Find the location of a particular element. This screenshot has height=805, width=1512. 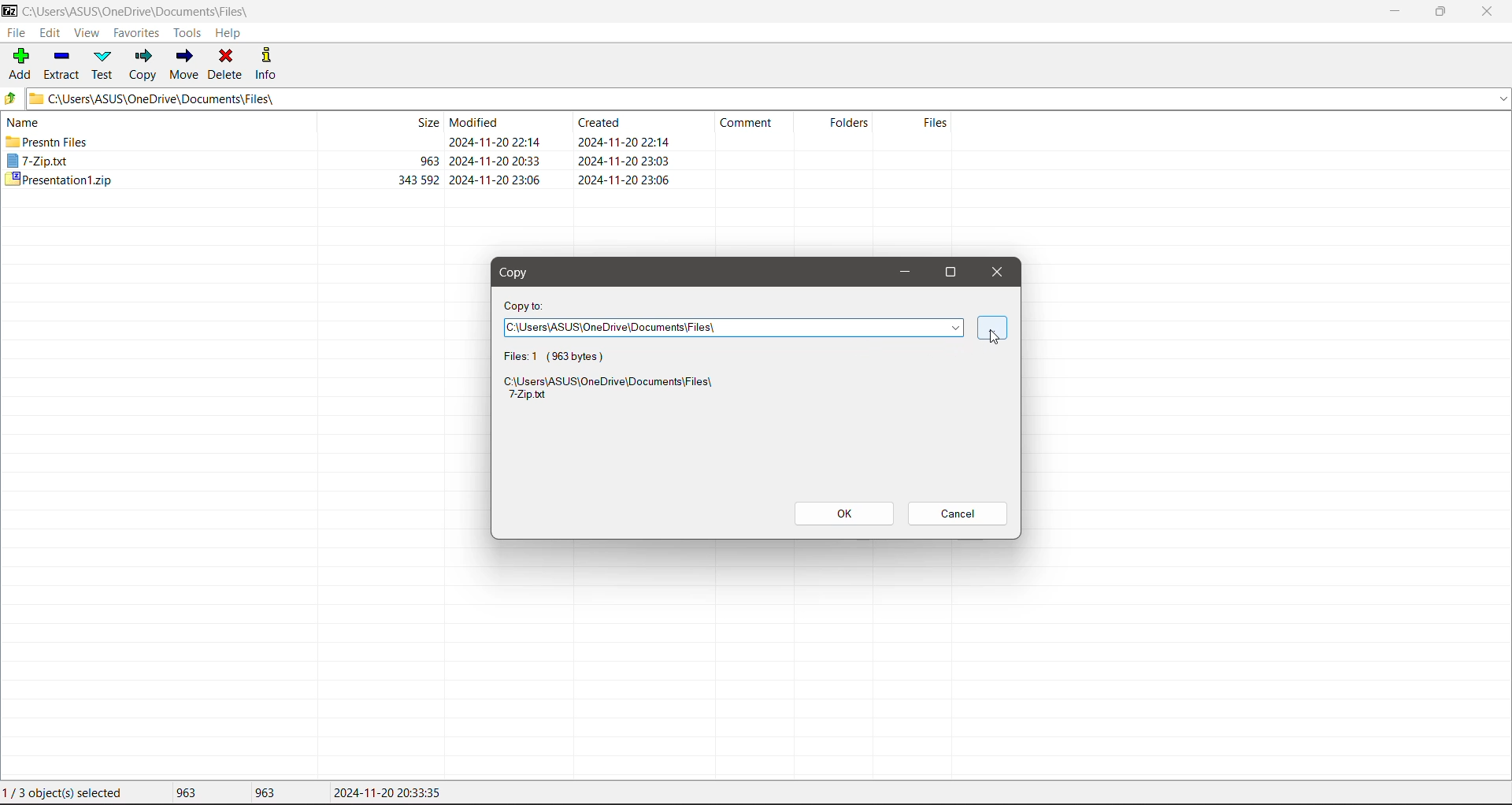

Size of the last file selected is located at coordinates (265, 792).